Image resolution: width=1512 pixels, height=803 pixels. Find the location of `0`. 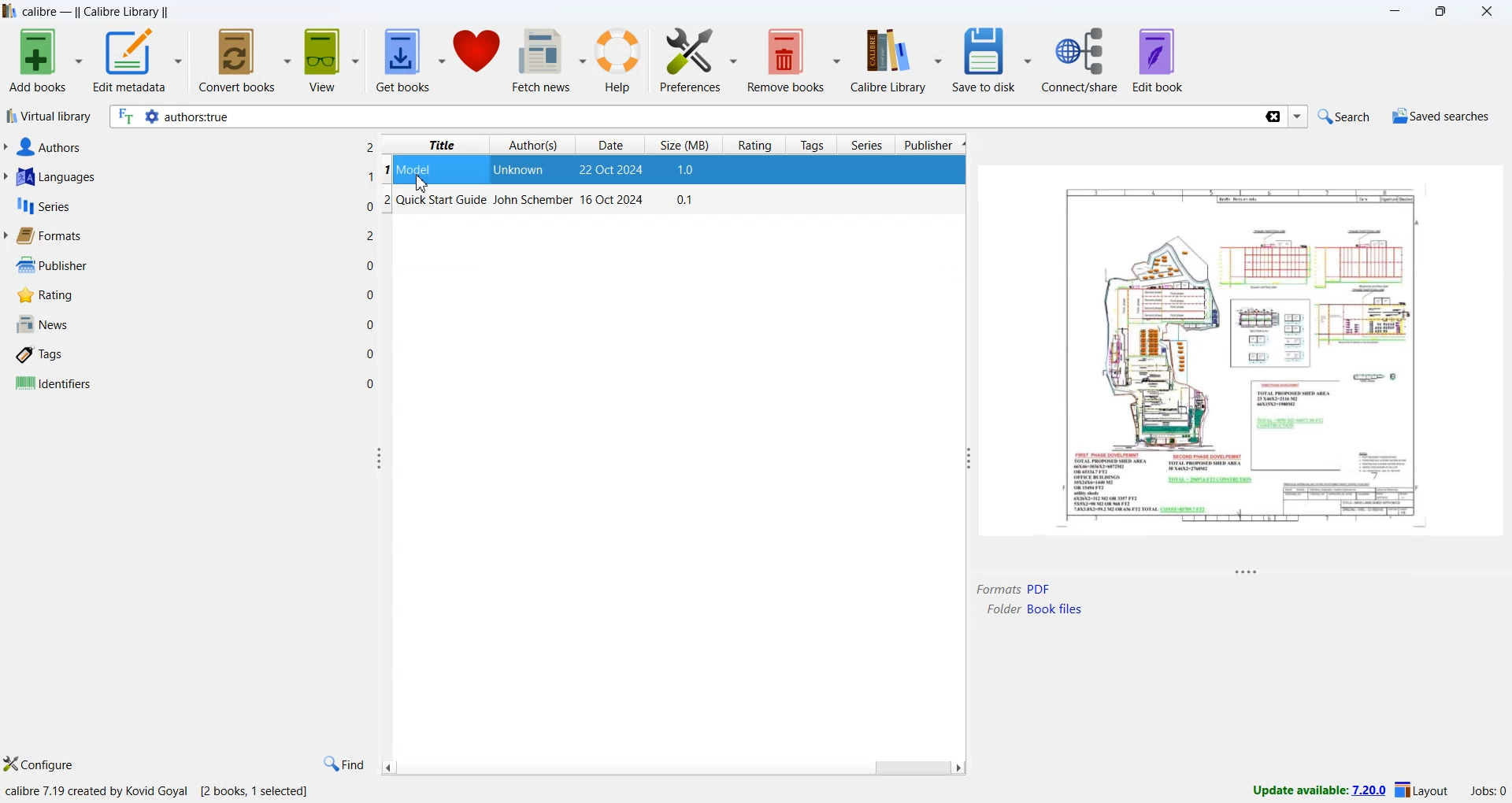

0 is located at coordinates (371, 383).